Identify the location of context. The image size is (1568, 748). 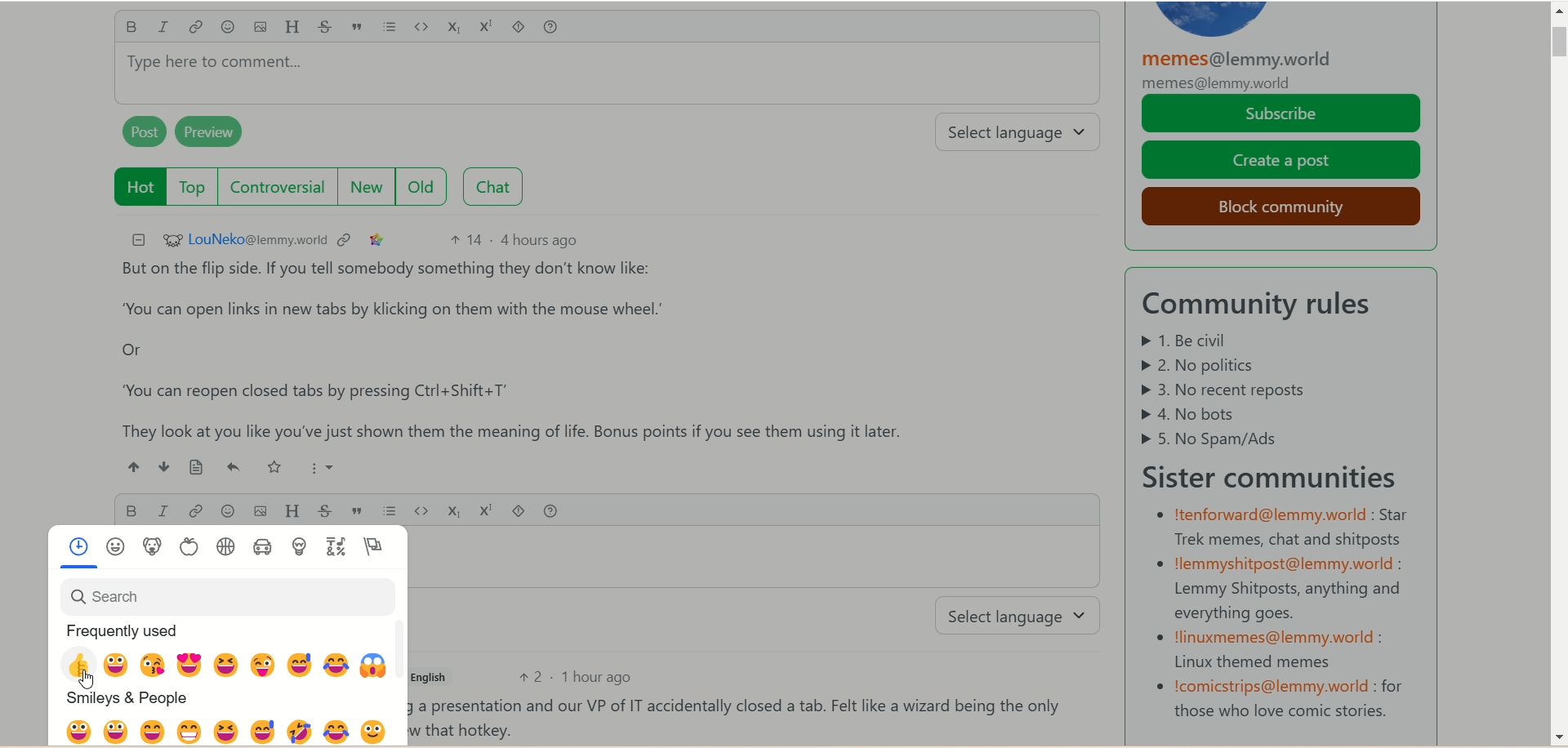
(347, 238).